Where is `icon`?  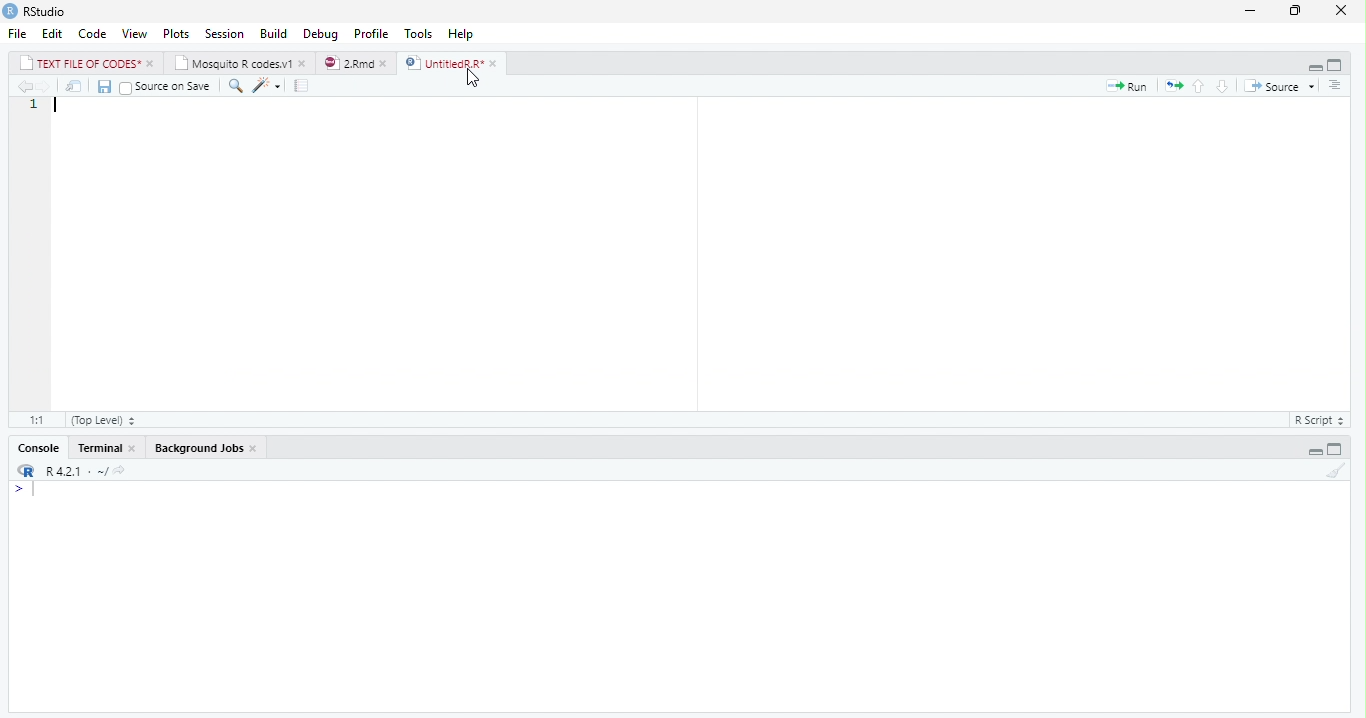 icon is located at coordinates (24, 472).